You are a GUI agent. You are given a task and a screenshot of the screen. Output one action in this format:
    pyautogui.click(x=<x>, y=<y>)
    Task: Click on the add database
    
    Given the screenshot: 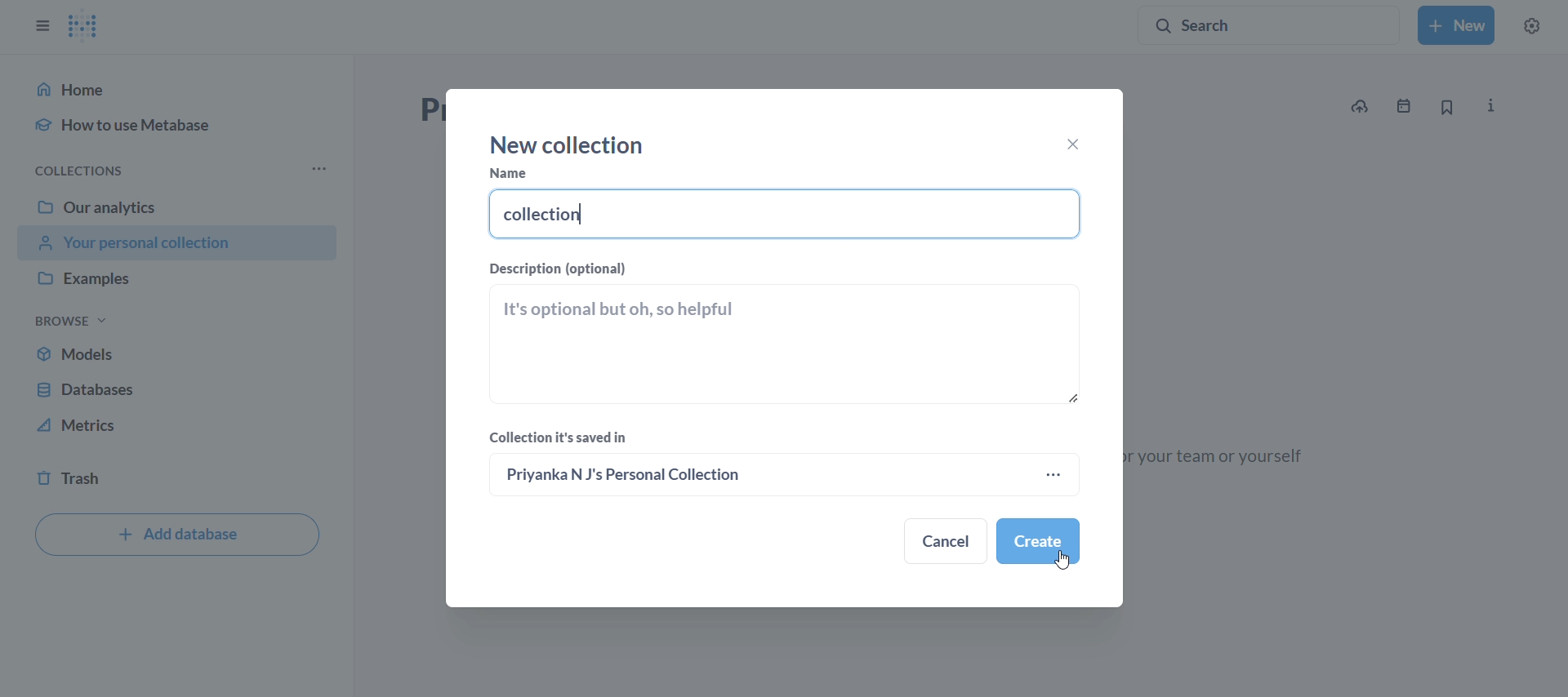 What is the action you would take?
    pyautogui.click(x=176, y=535)
    